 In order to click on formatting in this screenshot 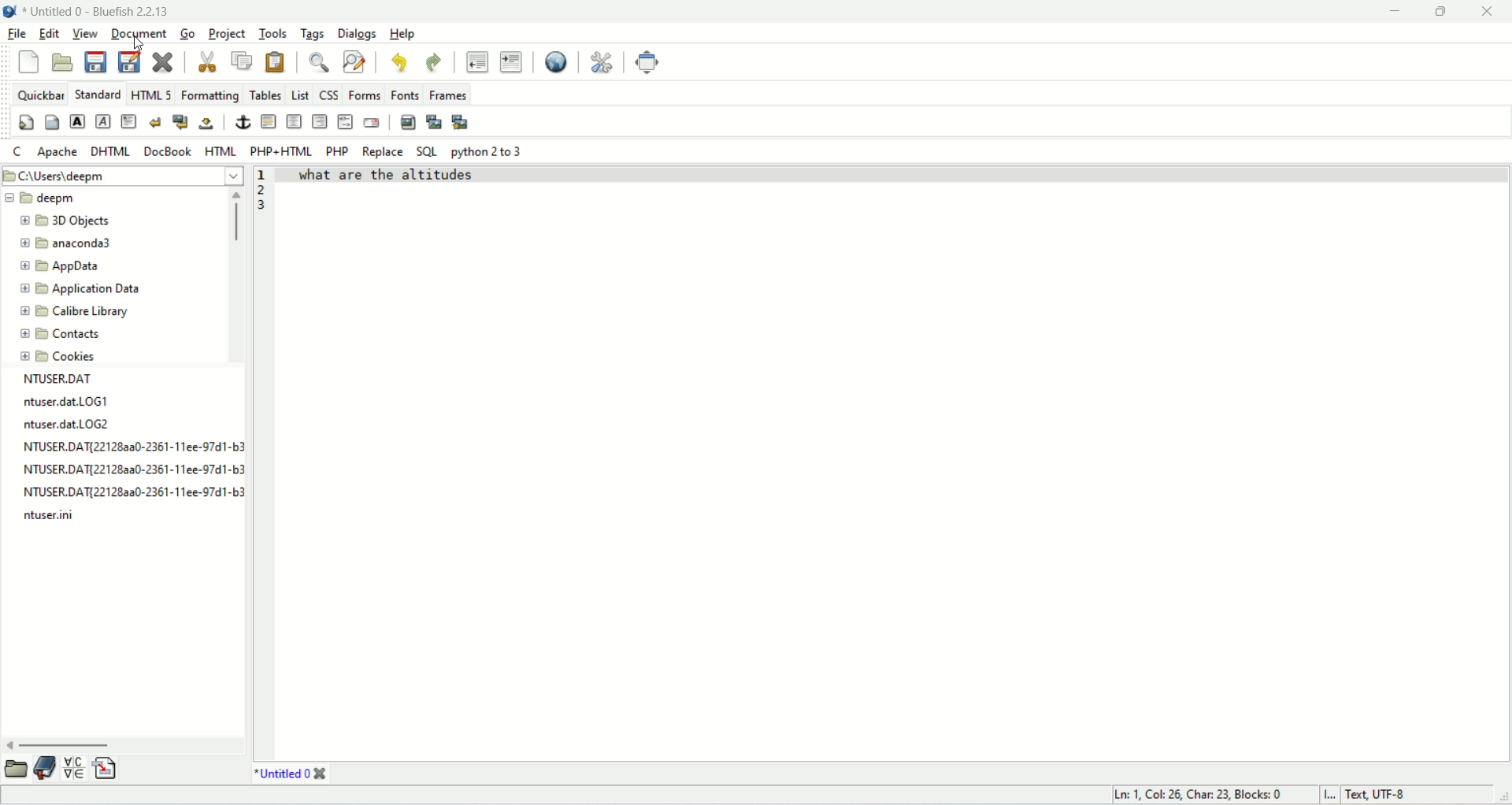, I will do `click(210, 94)`.